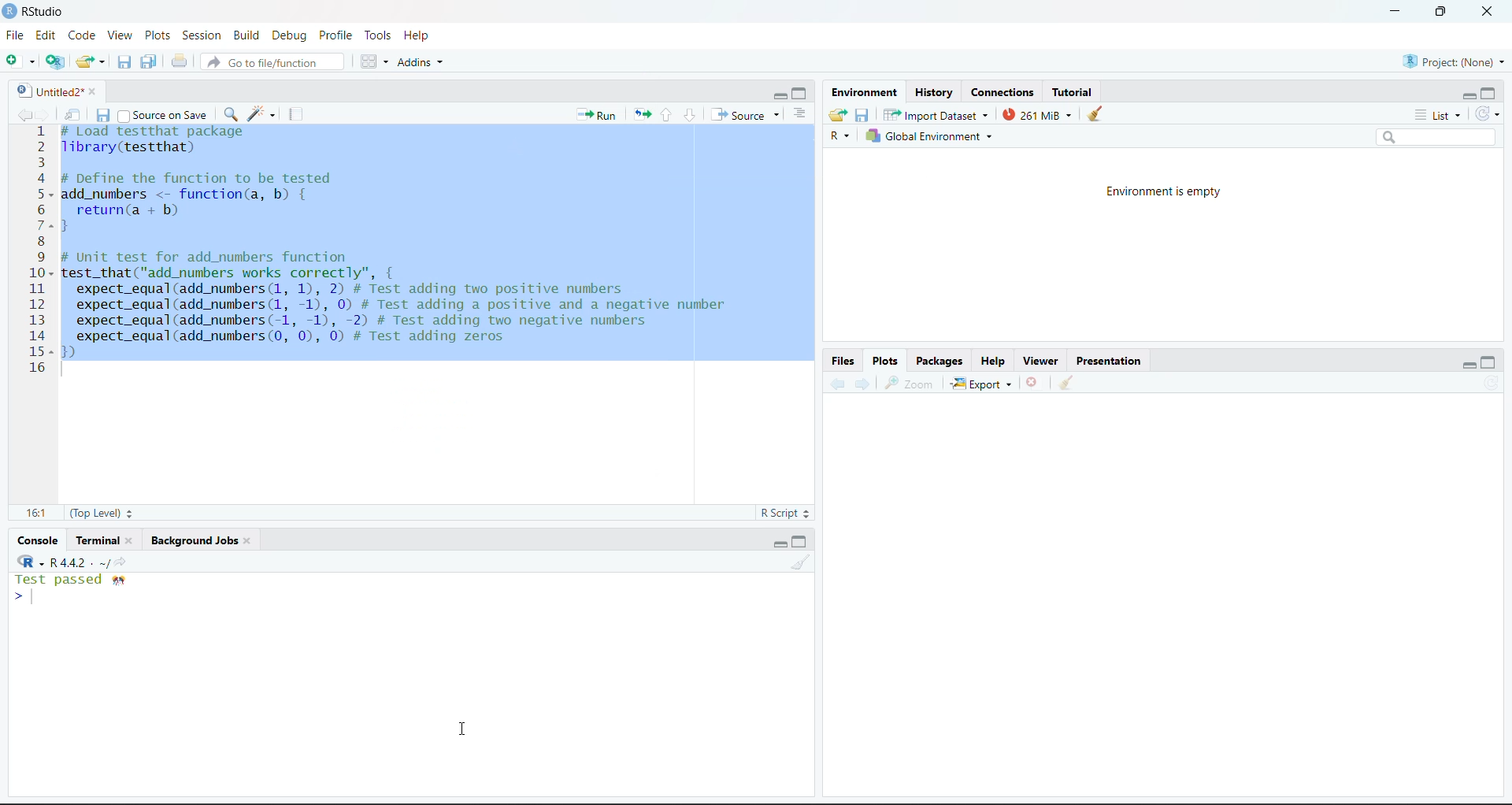 Image resolution: width=1512 pixels, height=805 pixels. Describe the element at coordinates (54, 61) in the screenshot. I see `create a project` at that location.